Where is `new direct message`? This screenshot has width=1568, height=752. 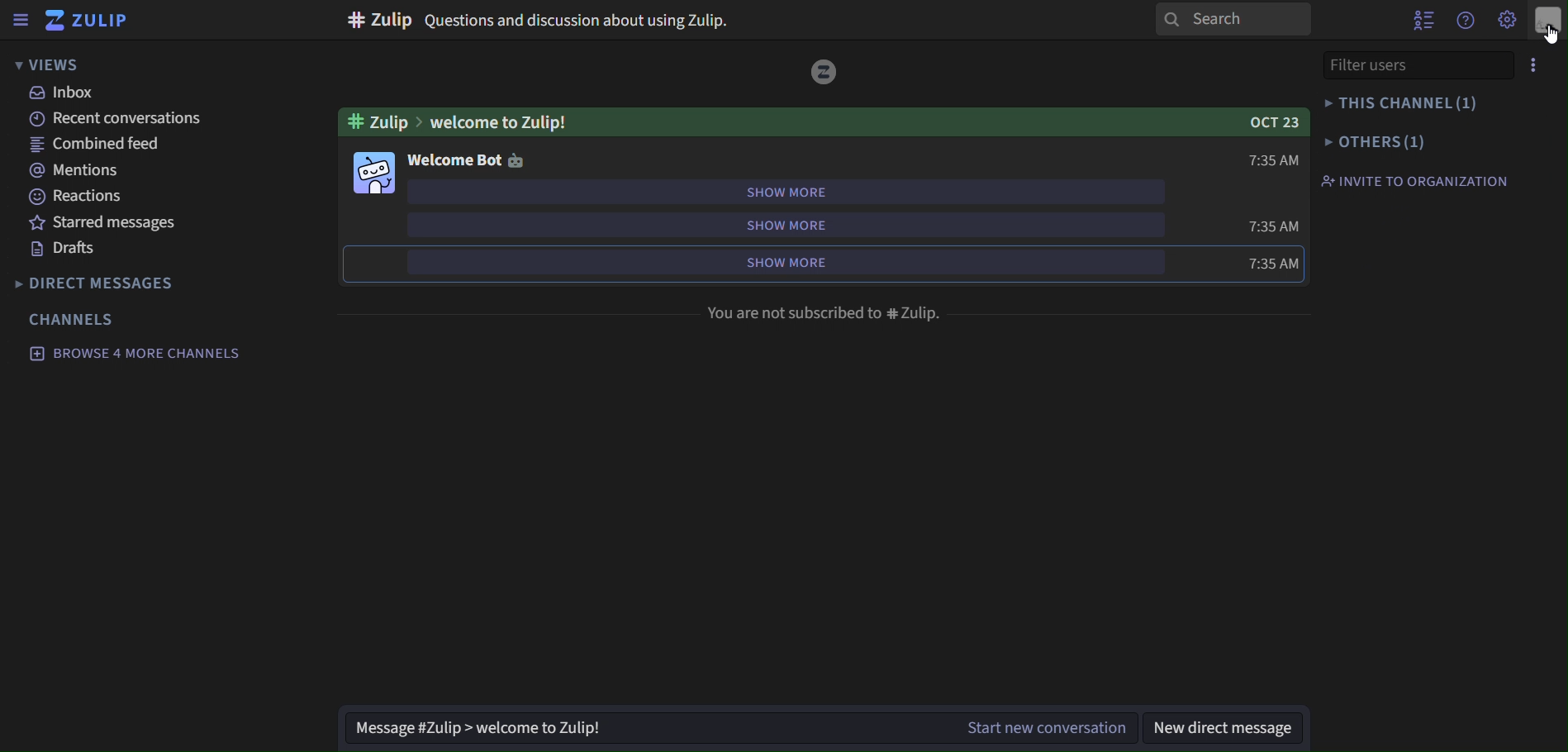 new direct message is located at coordinates (1227, 728).